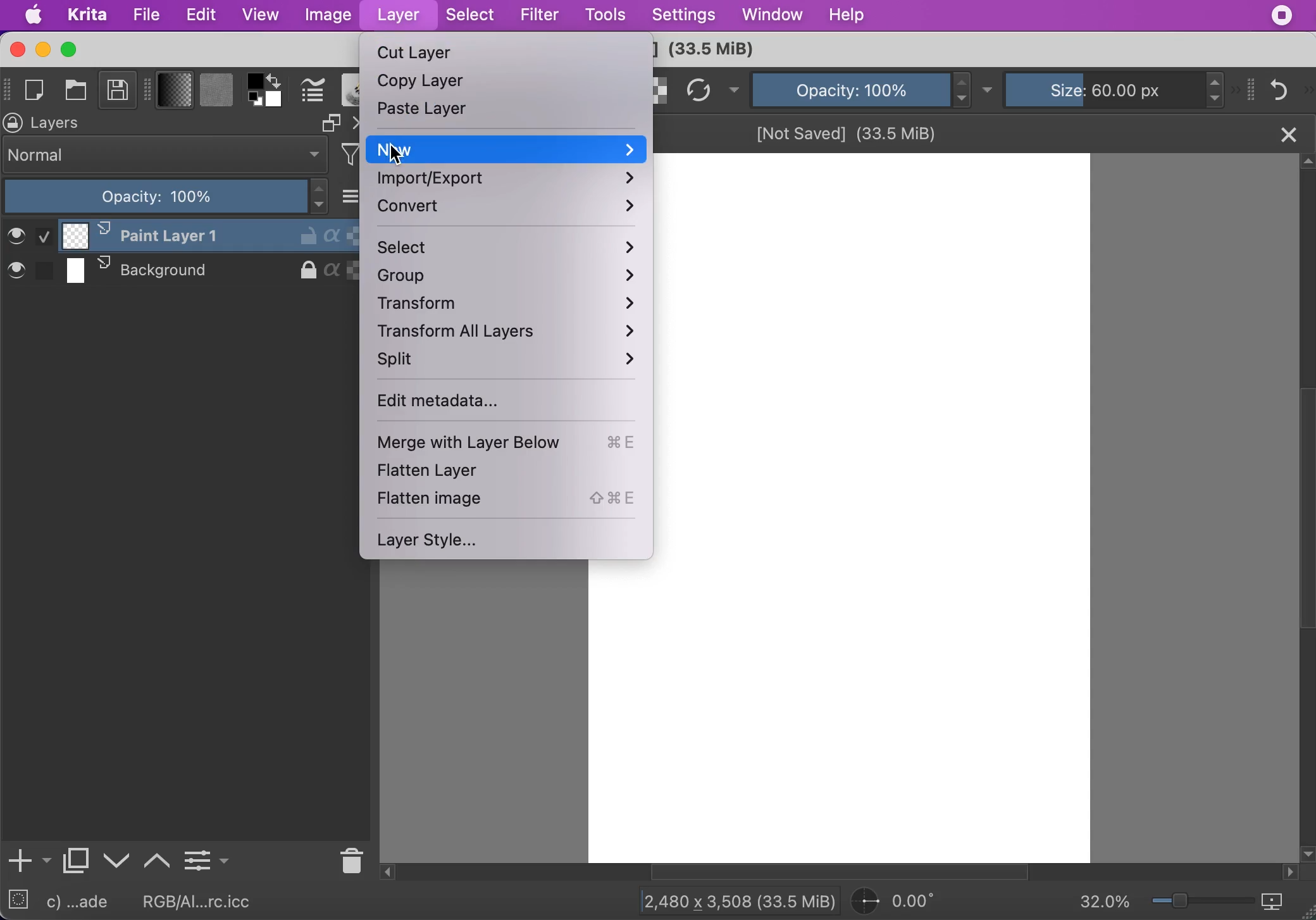 The width and height of the screenshot is (1316, 920). Describe the element at coordinates (78, 92) in the screenshot. I see `open an existing document` at that location.